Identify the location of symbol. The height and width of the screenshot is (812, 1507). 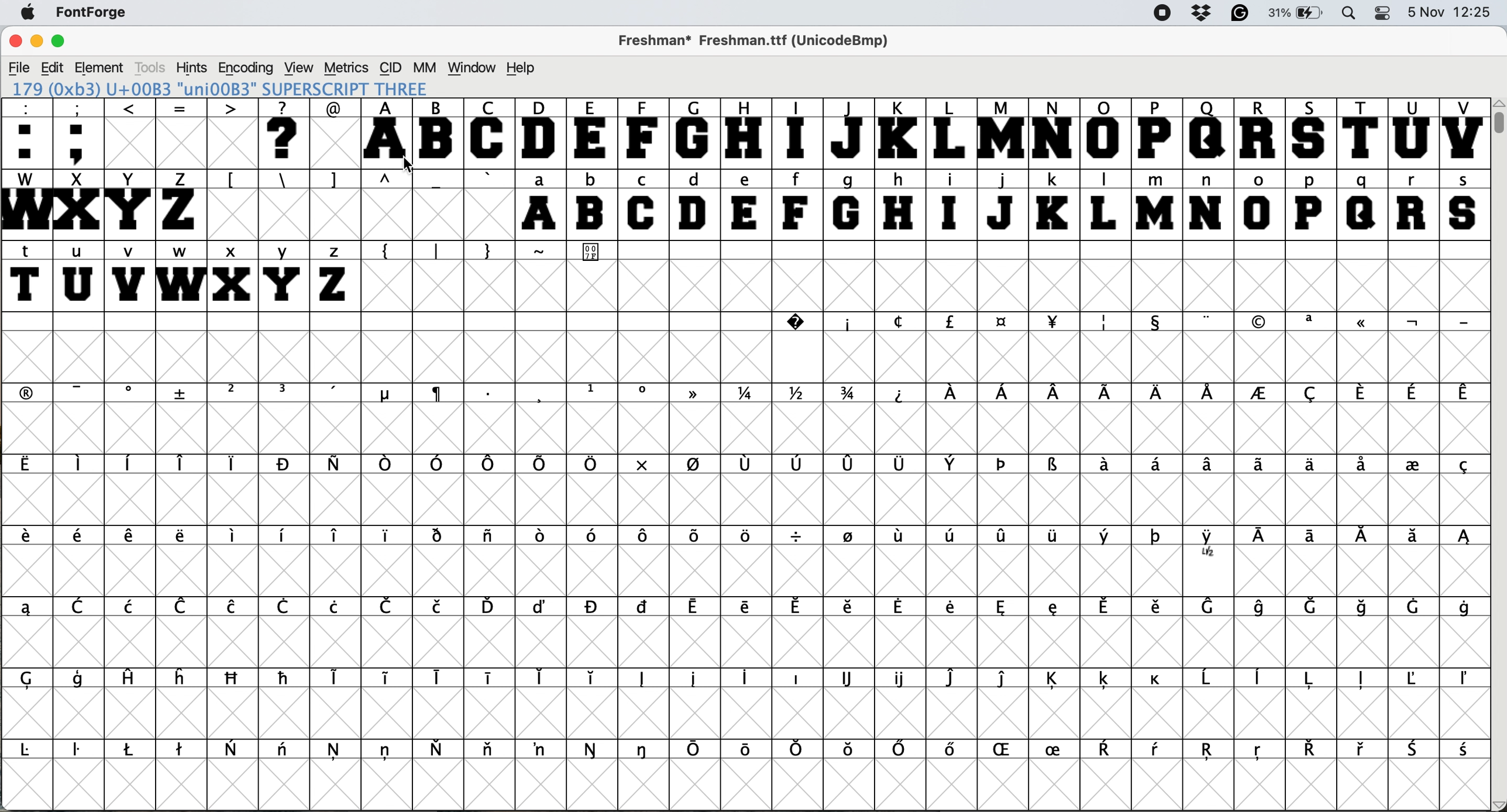
(643, 608).